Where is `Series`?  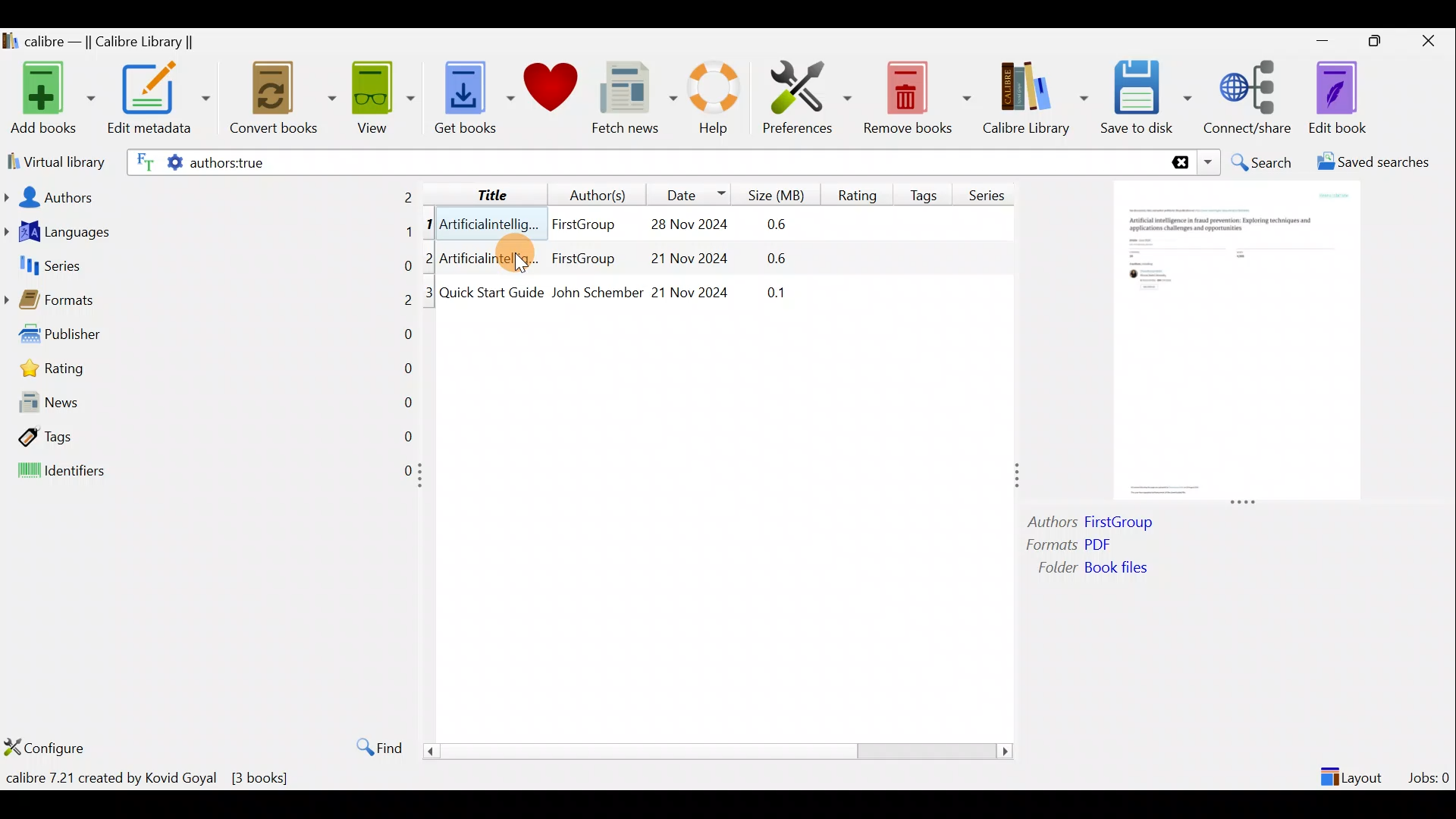
Series is located at coordinates (992, 190).